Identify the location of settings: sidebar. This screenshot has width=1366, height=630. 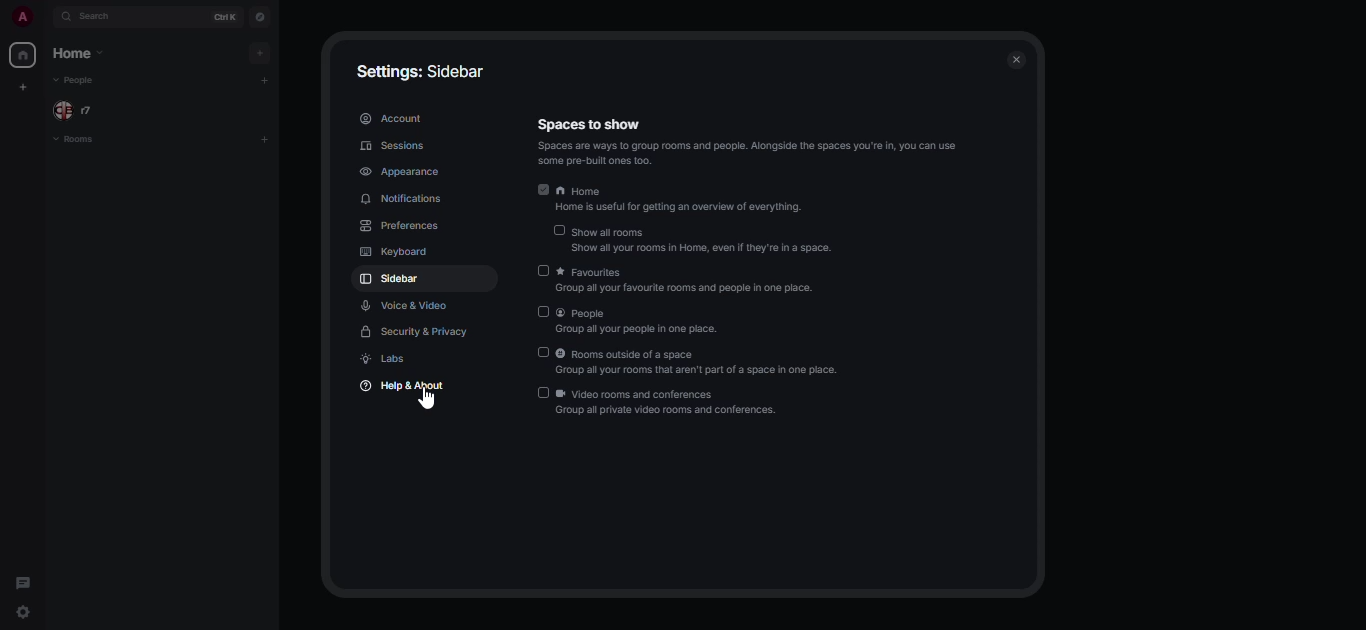
(422, 70).